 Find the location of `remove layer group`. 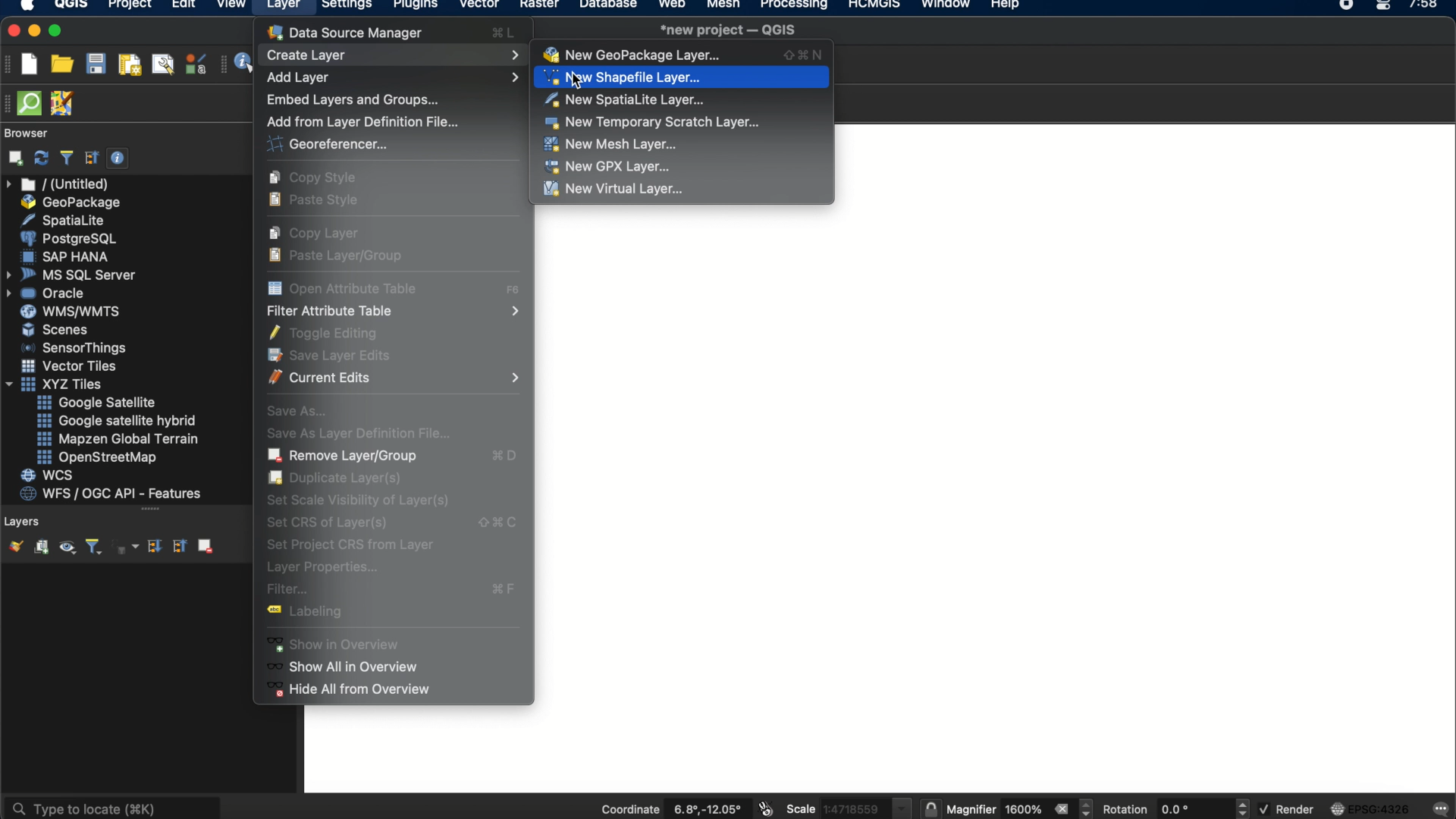

remove layer group is located at coordinates (204, 545).